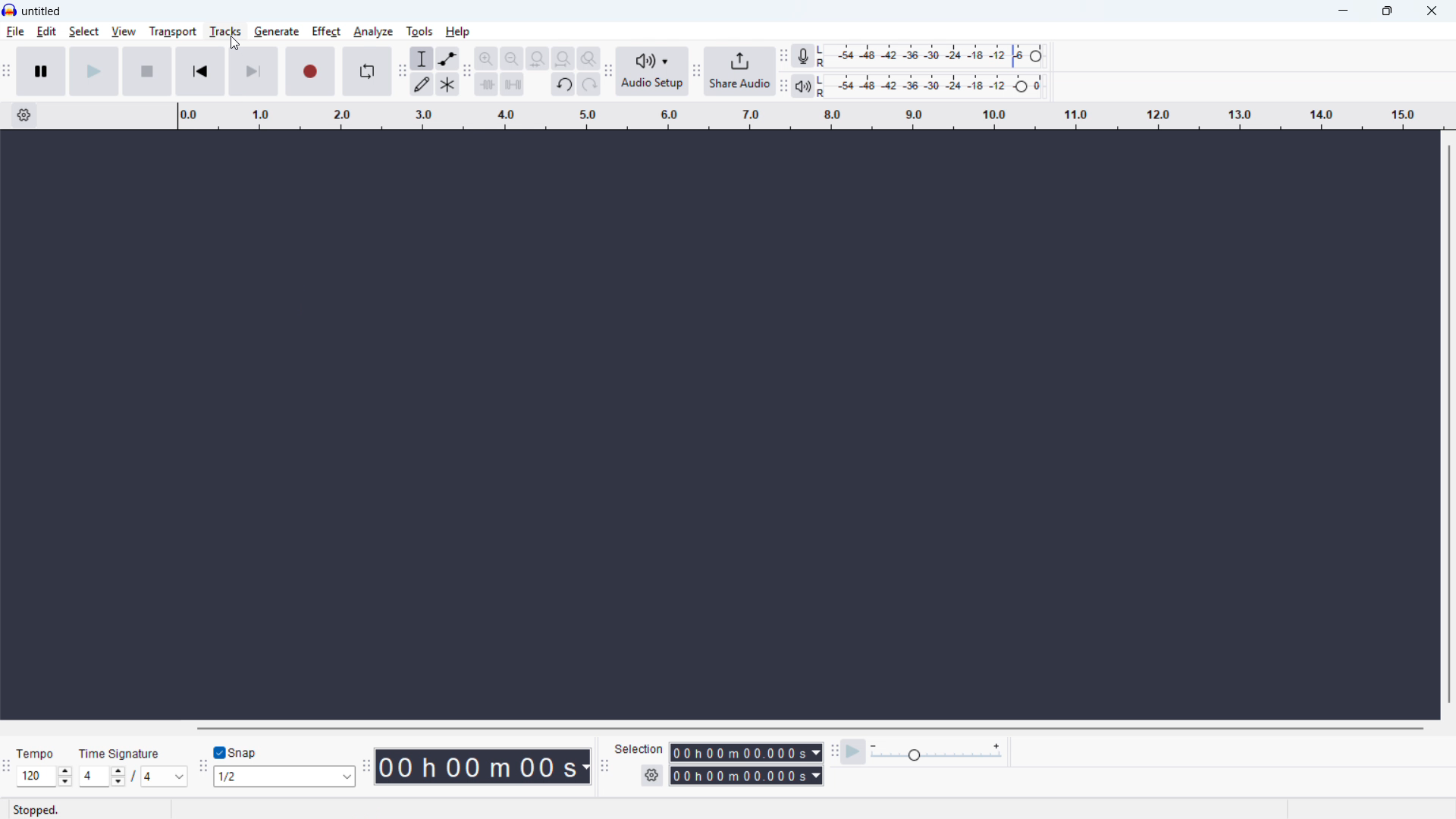 The image size is (1456, 819). Describe the element at coordinates (16, 32) in the screenshot. I see `File ` at that location.